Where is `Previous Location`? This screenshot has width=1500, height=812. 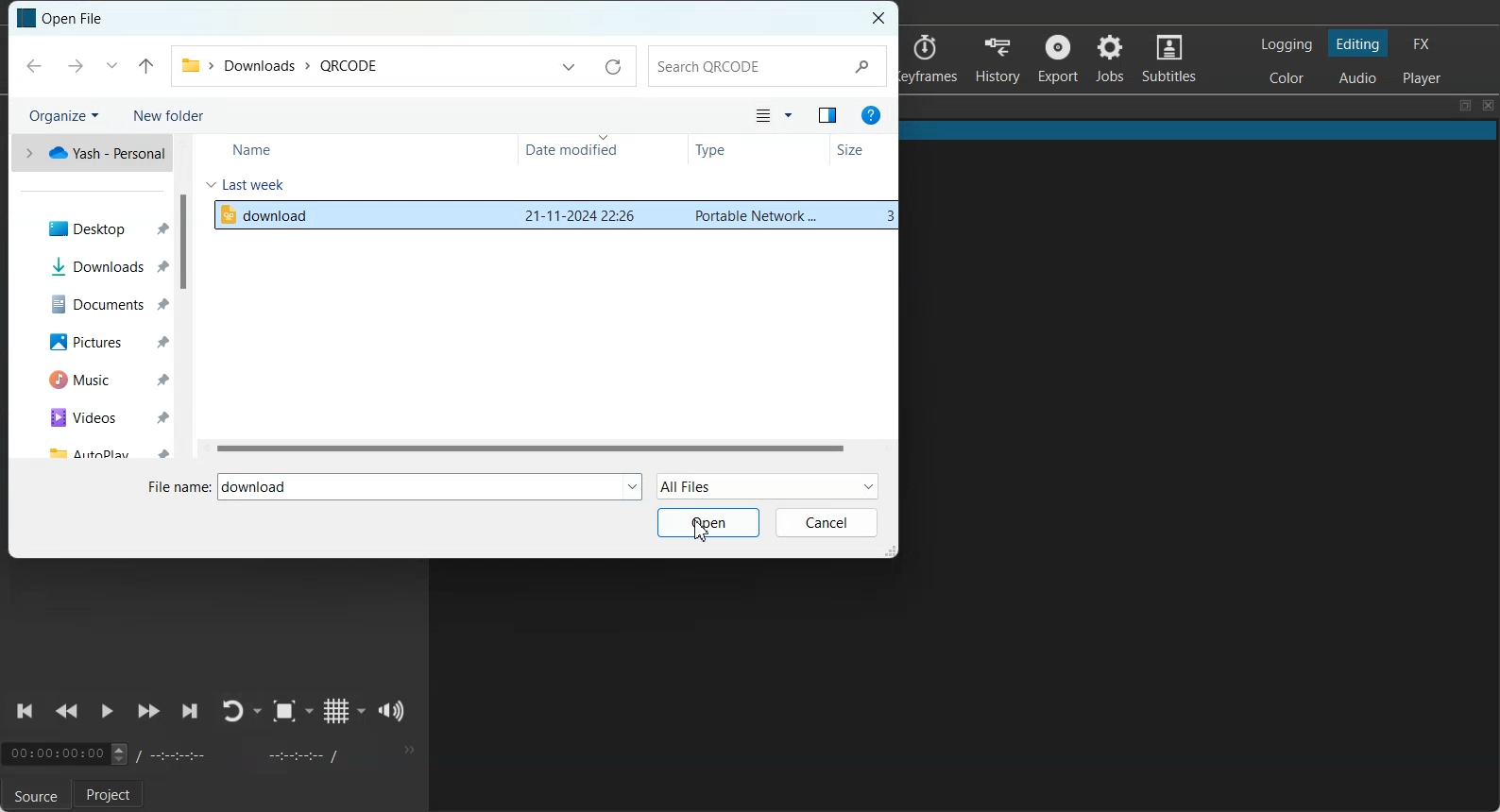
Previous Location is located at coordinates (111, 66).